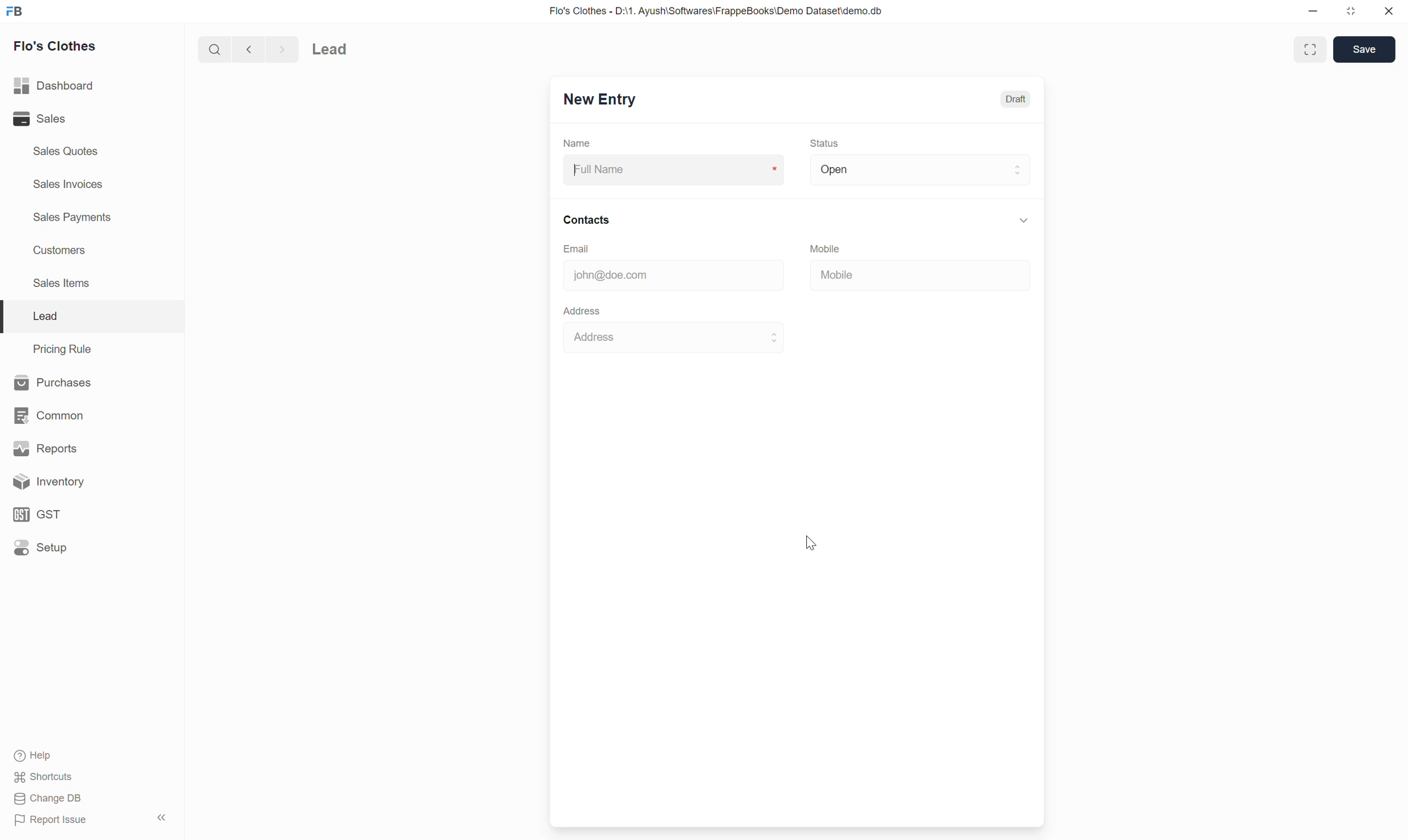  What do you see at coordinates (74, 218) in the screenshot?
I see `Sales Payments` at bounding box center [74, 218].